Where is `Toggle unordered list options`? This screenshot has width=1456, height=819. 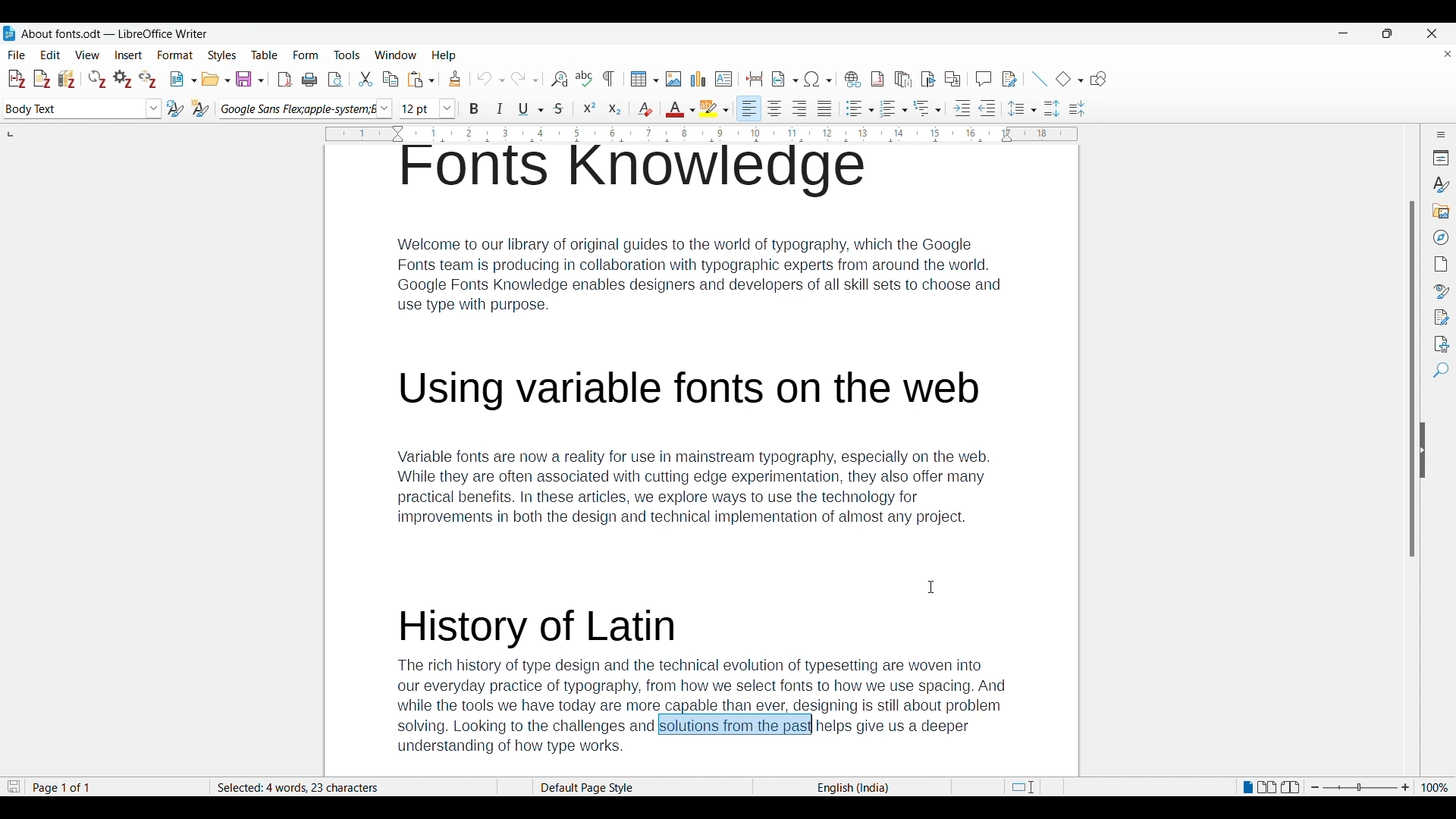 Toggle unordered list options is located at coordinates (859, 108).